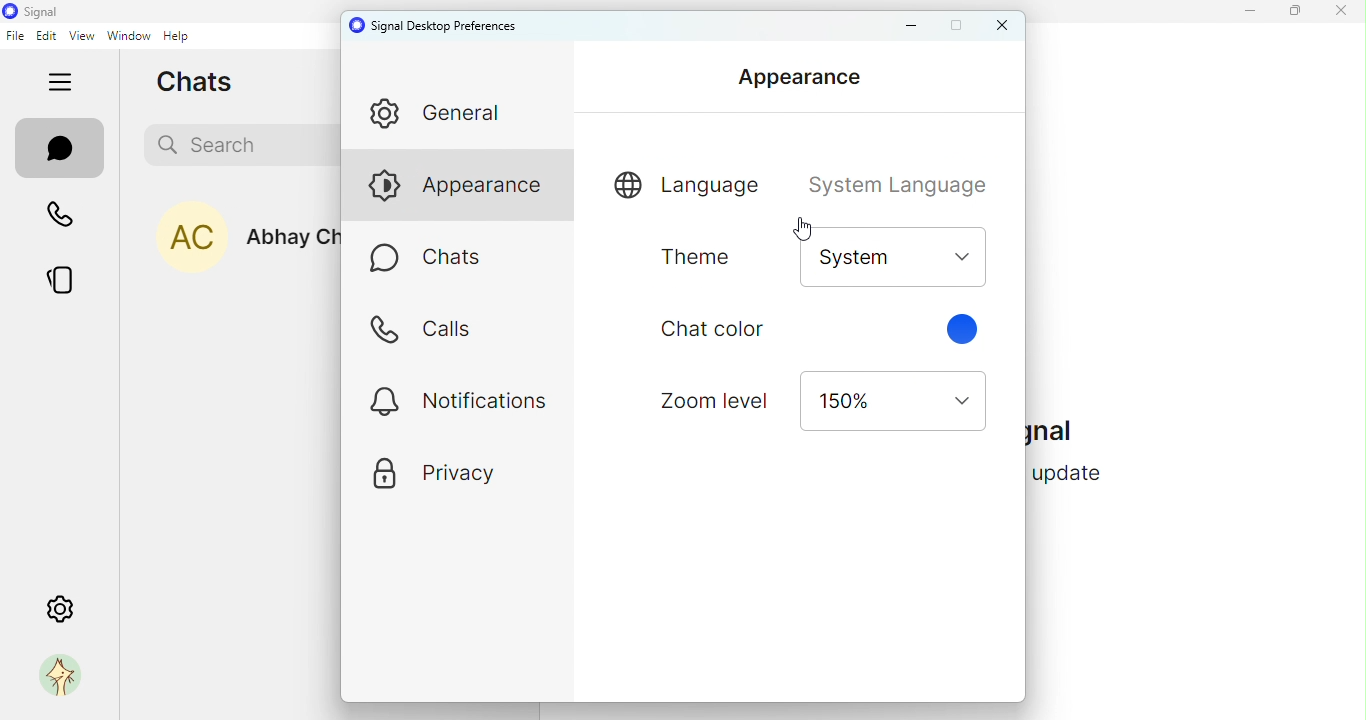 The width and height of the screenshot is (1366, 720). Describe the element at coordinates (127, 38) in the screenshot. I see `window` at that location.